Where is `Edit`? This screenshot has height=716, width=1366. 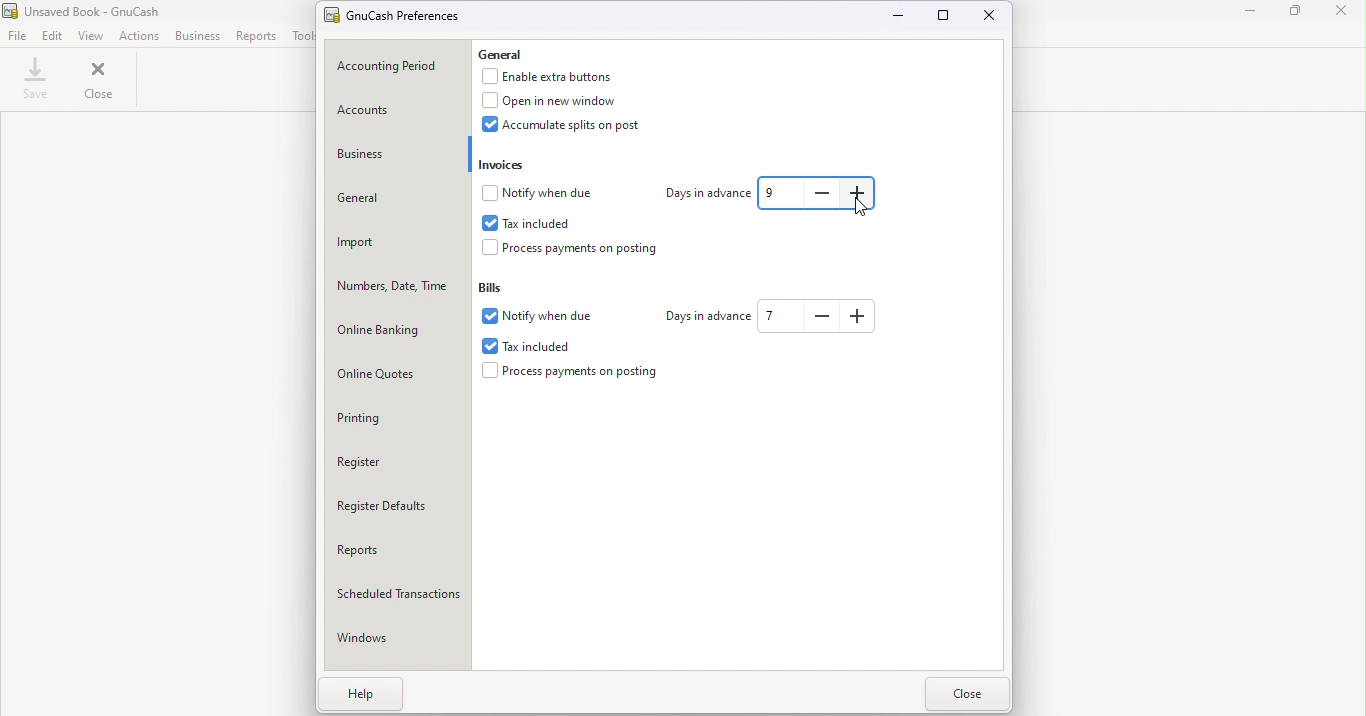
Edit is located at coordinates (52, 36).